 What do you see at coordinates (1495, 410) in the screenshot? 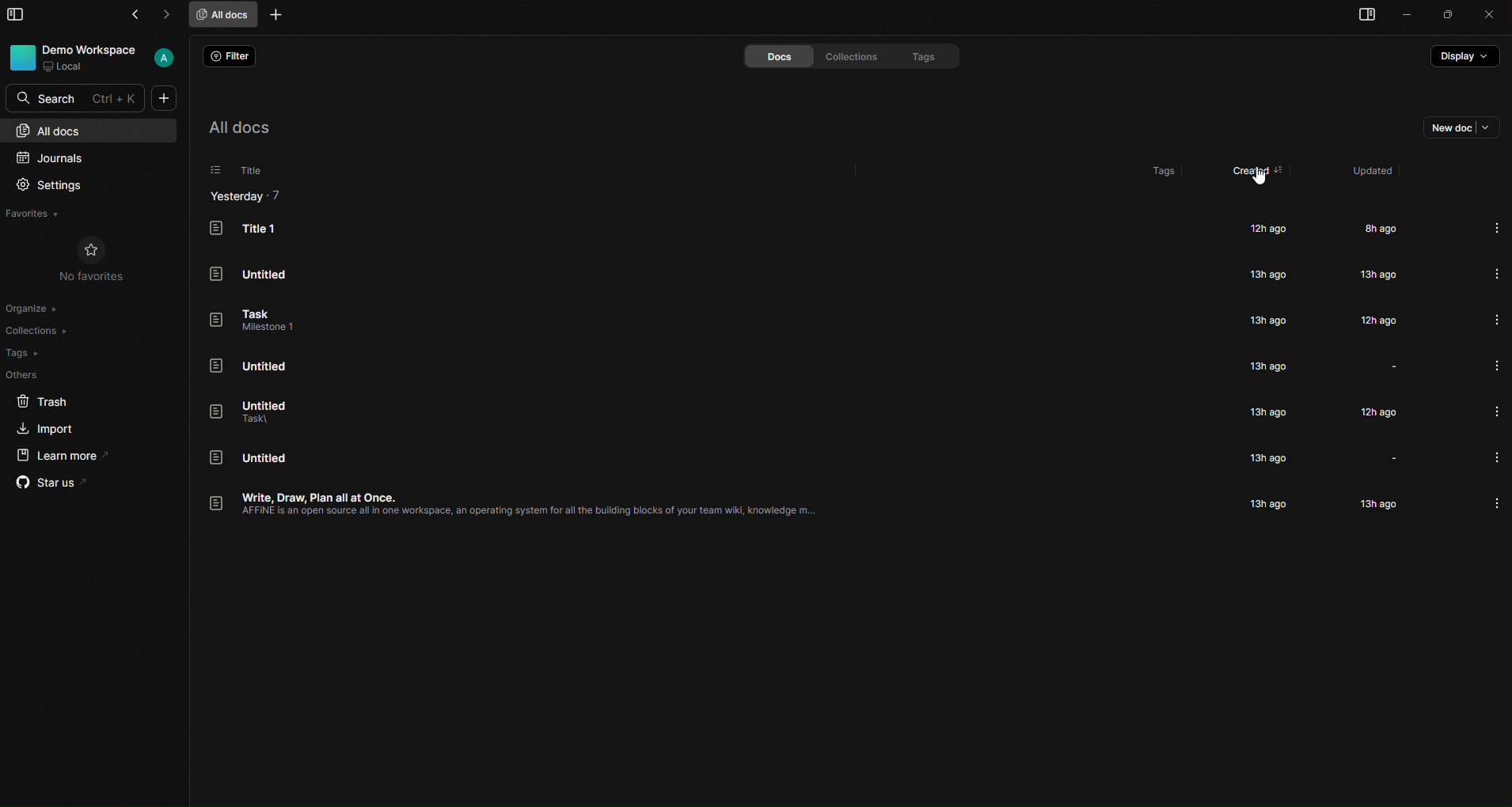
I see `more info` at bounding box center [1495, 410].